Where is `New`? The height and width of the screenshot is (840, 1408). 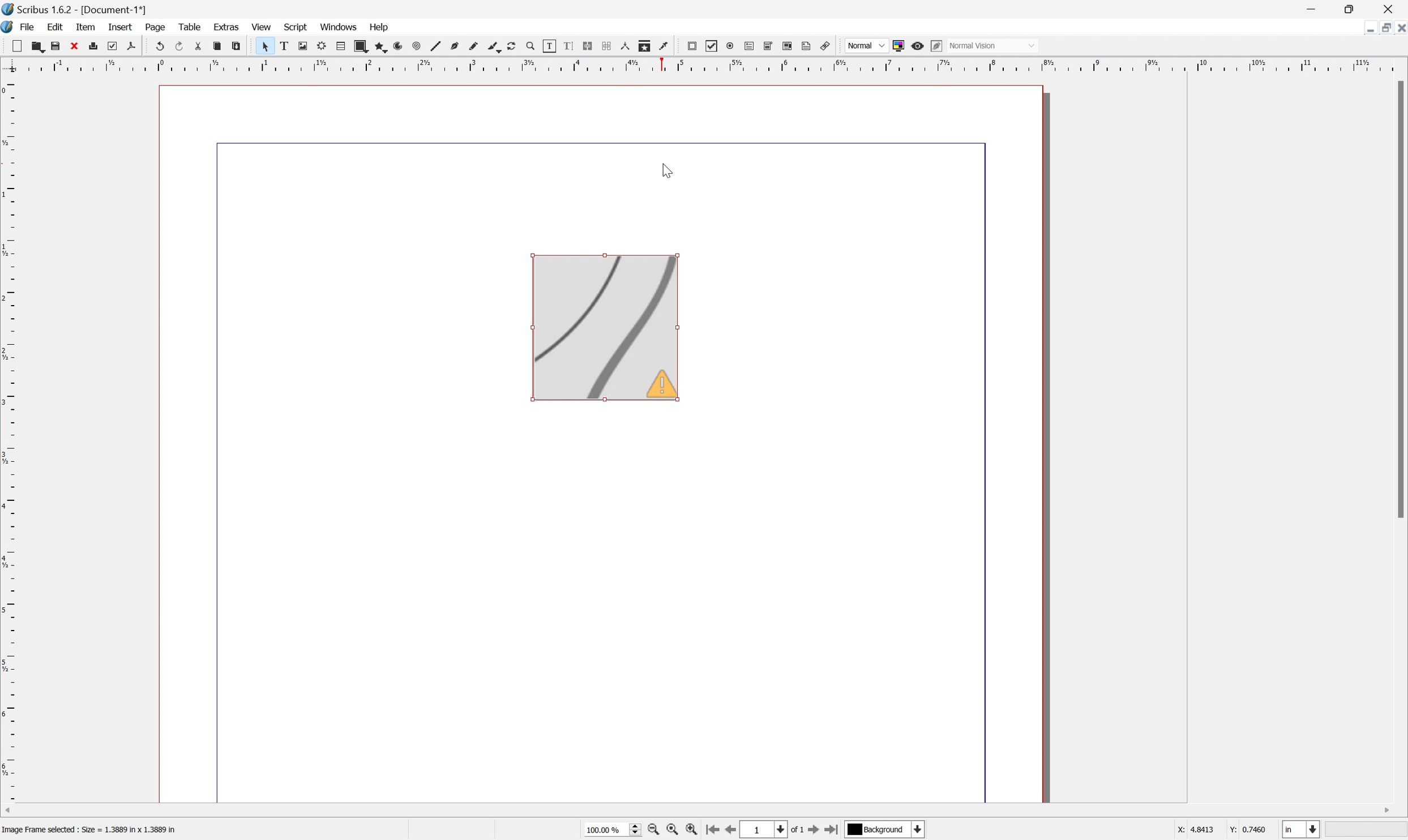 New is located at coordinates (38, 48).